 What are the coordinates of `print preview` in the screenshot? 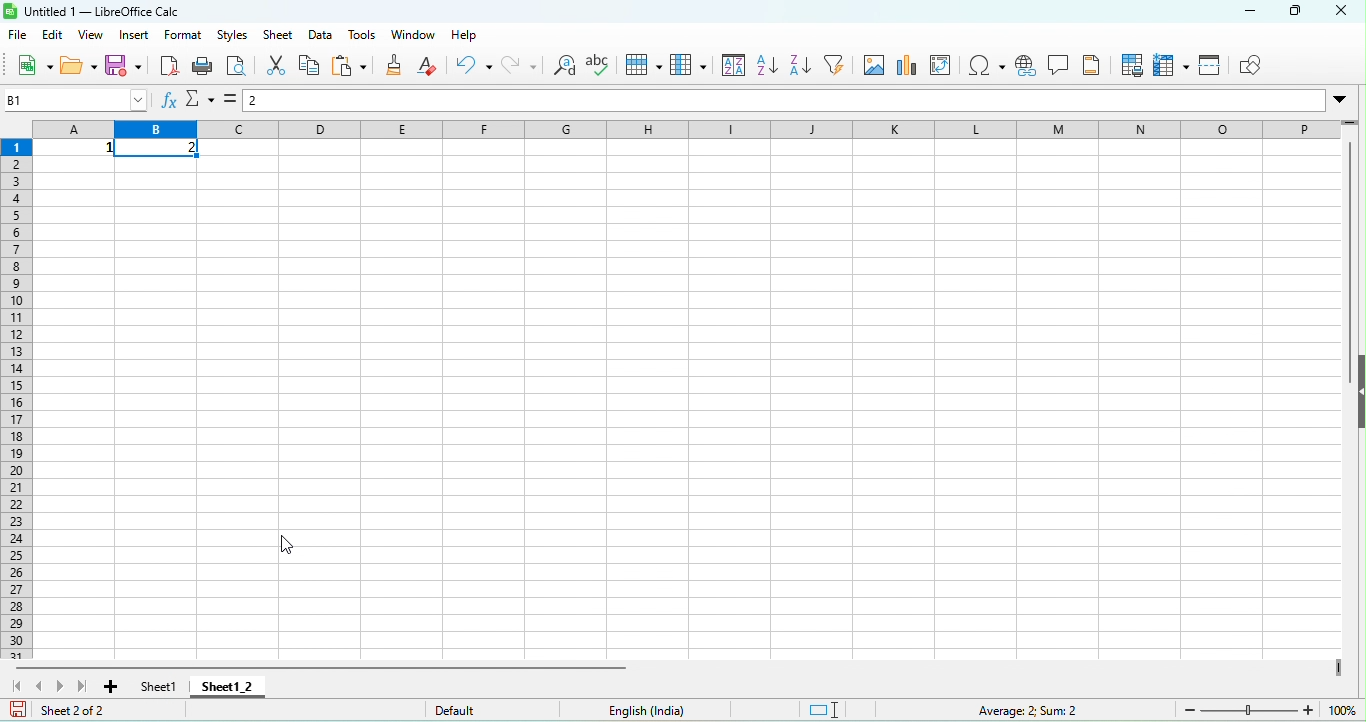 It's located at (242, 69).